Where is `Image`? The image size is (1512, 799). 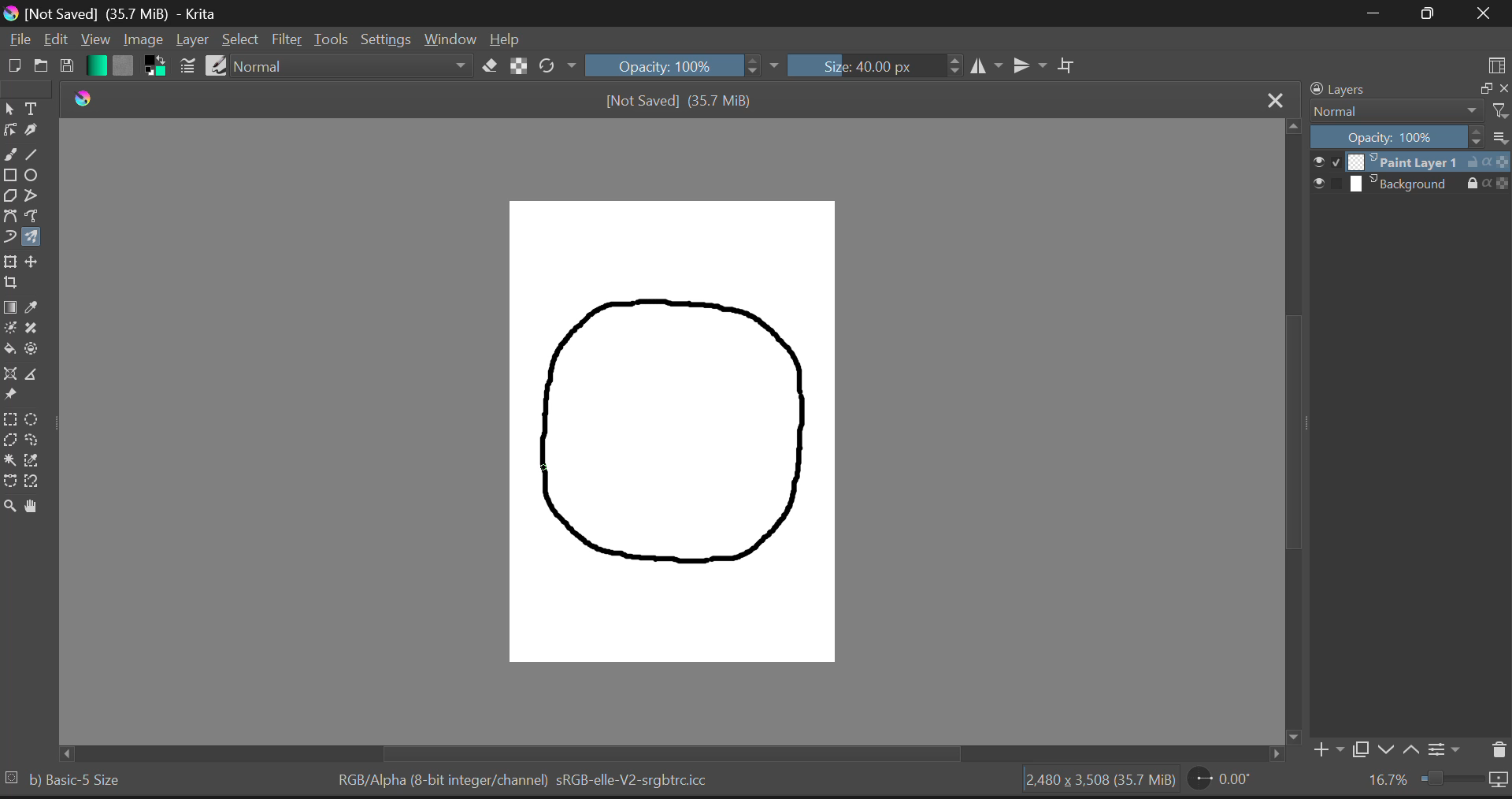 Image is located at coordinates (143, 40).